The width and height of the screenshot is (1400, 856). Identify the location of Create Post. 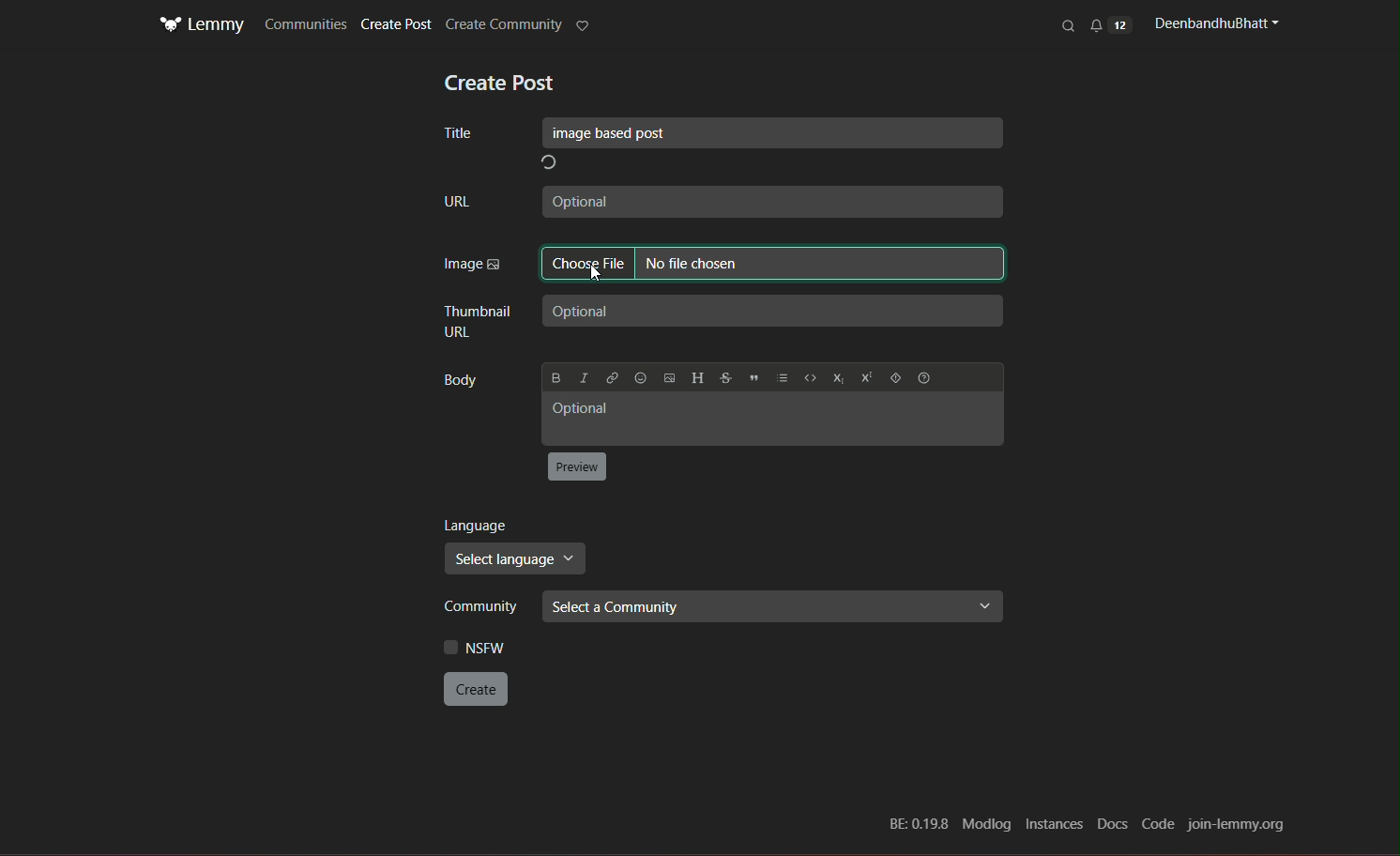
(399, 25).